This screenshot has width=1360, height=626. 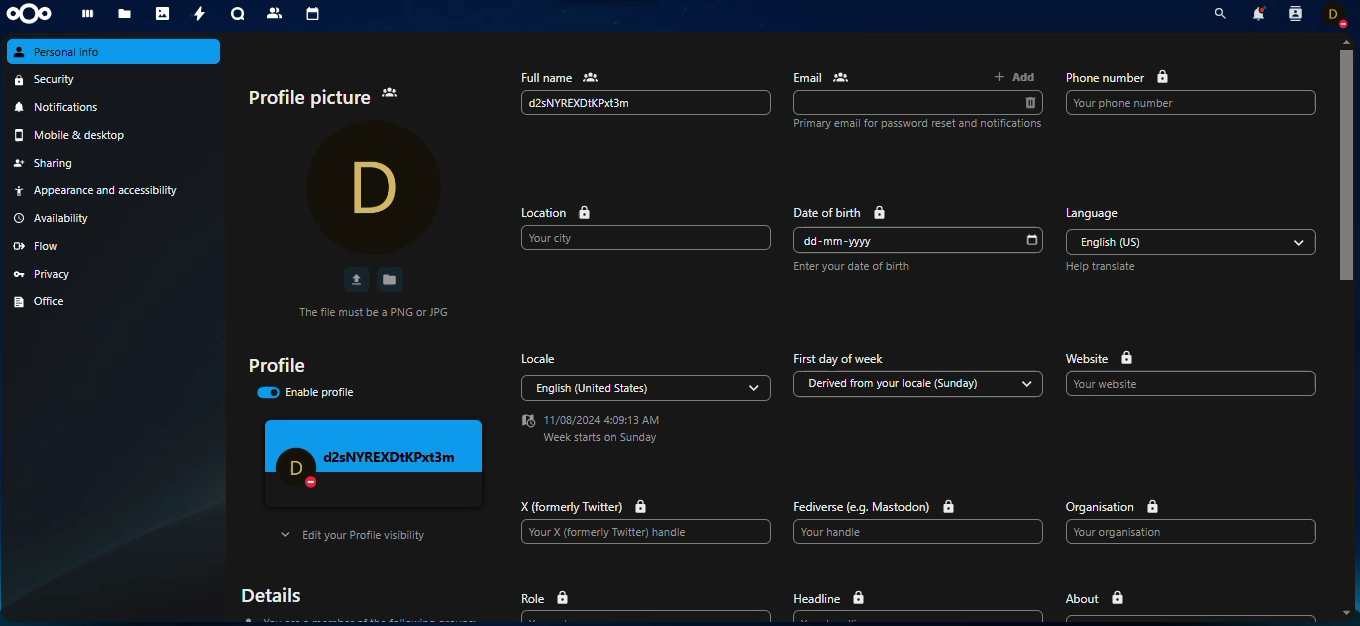 What do you see at coordinates (31, 13) in the screenshot?
I see `nextcloud logo` at bounding box center [31, 13].